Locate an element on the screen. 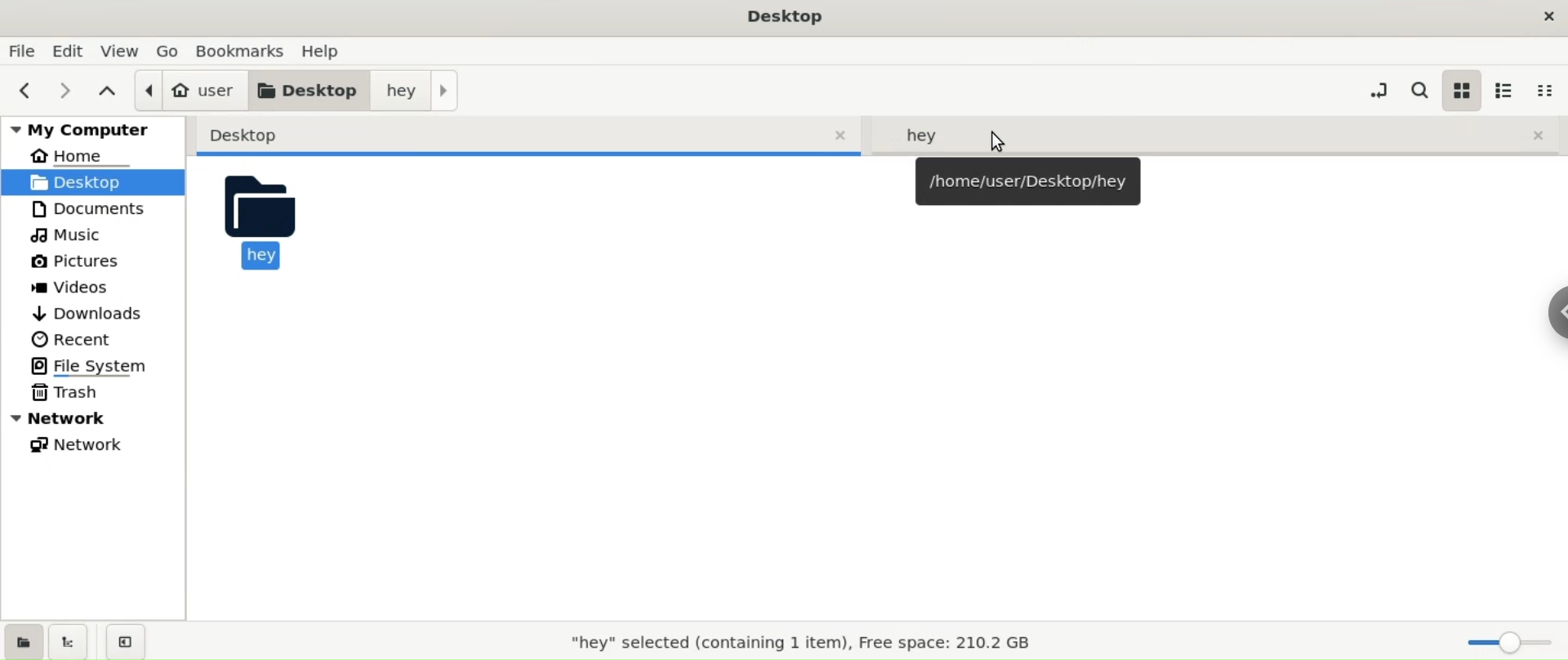 This screenshot has width=1568, height=660. next is located at coordinates (67, 90).